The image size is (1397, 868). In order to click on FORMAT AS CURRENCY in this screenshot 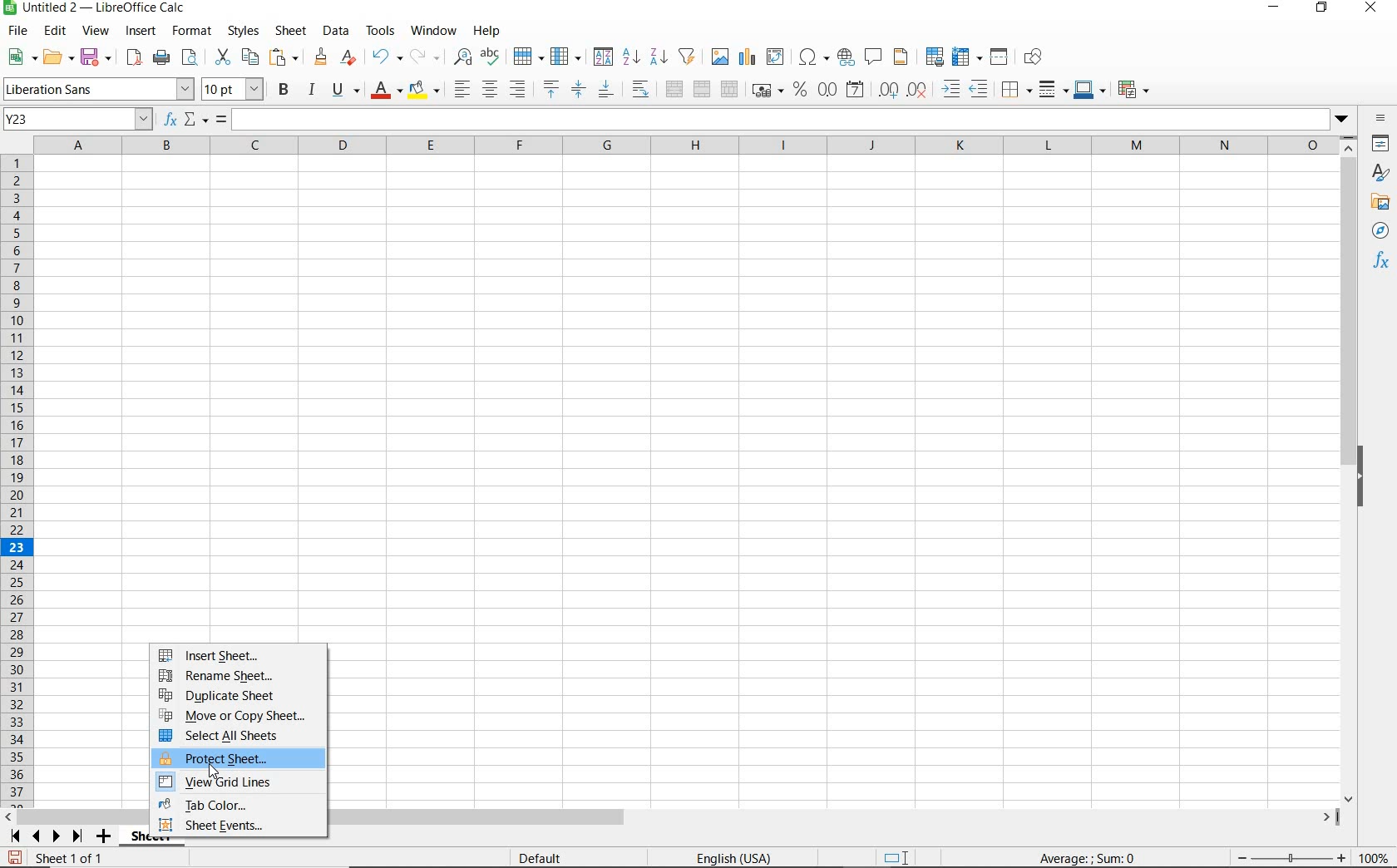, I will do `click(766, 92)`.